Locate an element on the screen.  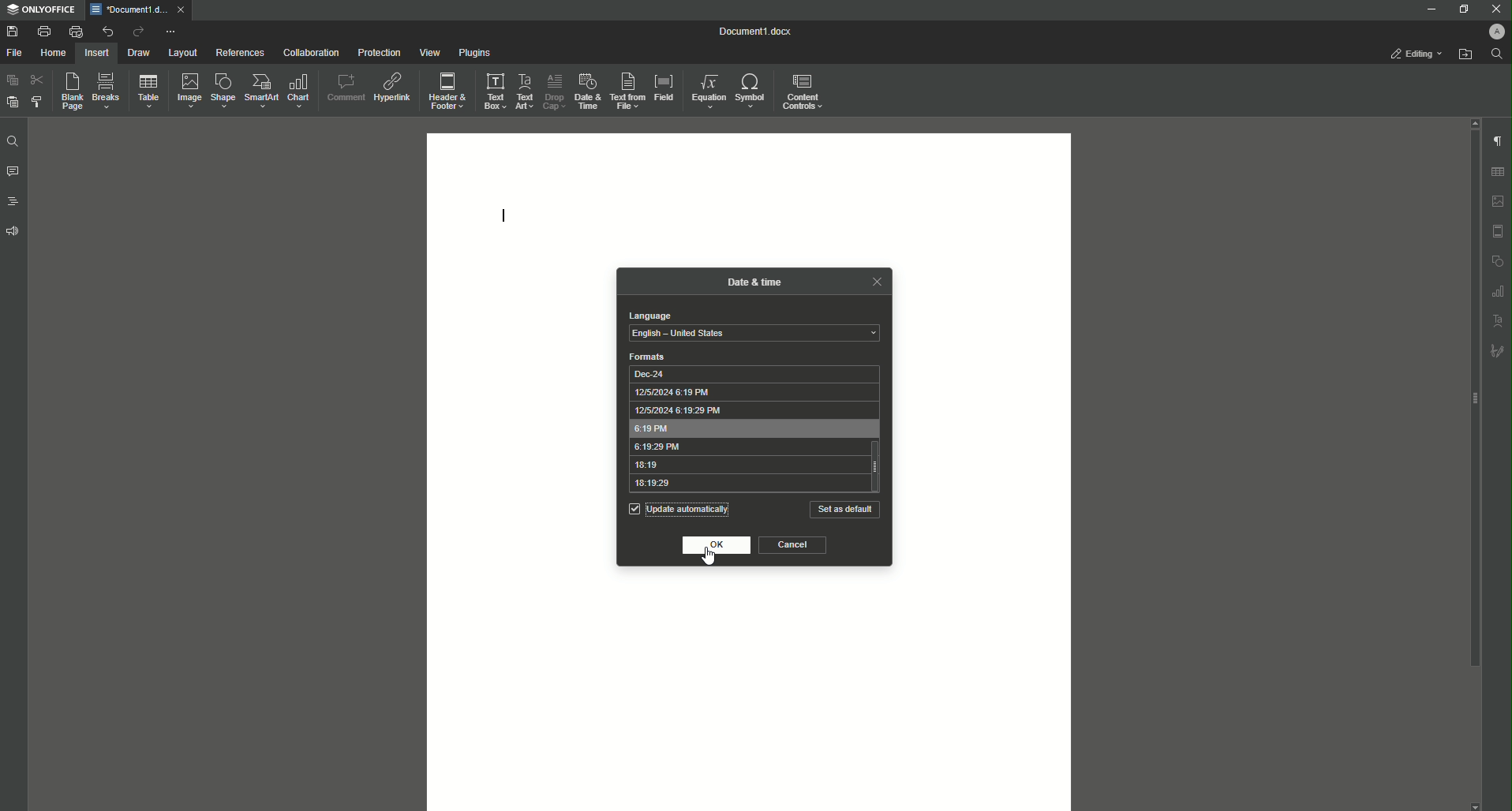
Open from file is located at coordinates (1465, 54).